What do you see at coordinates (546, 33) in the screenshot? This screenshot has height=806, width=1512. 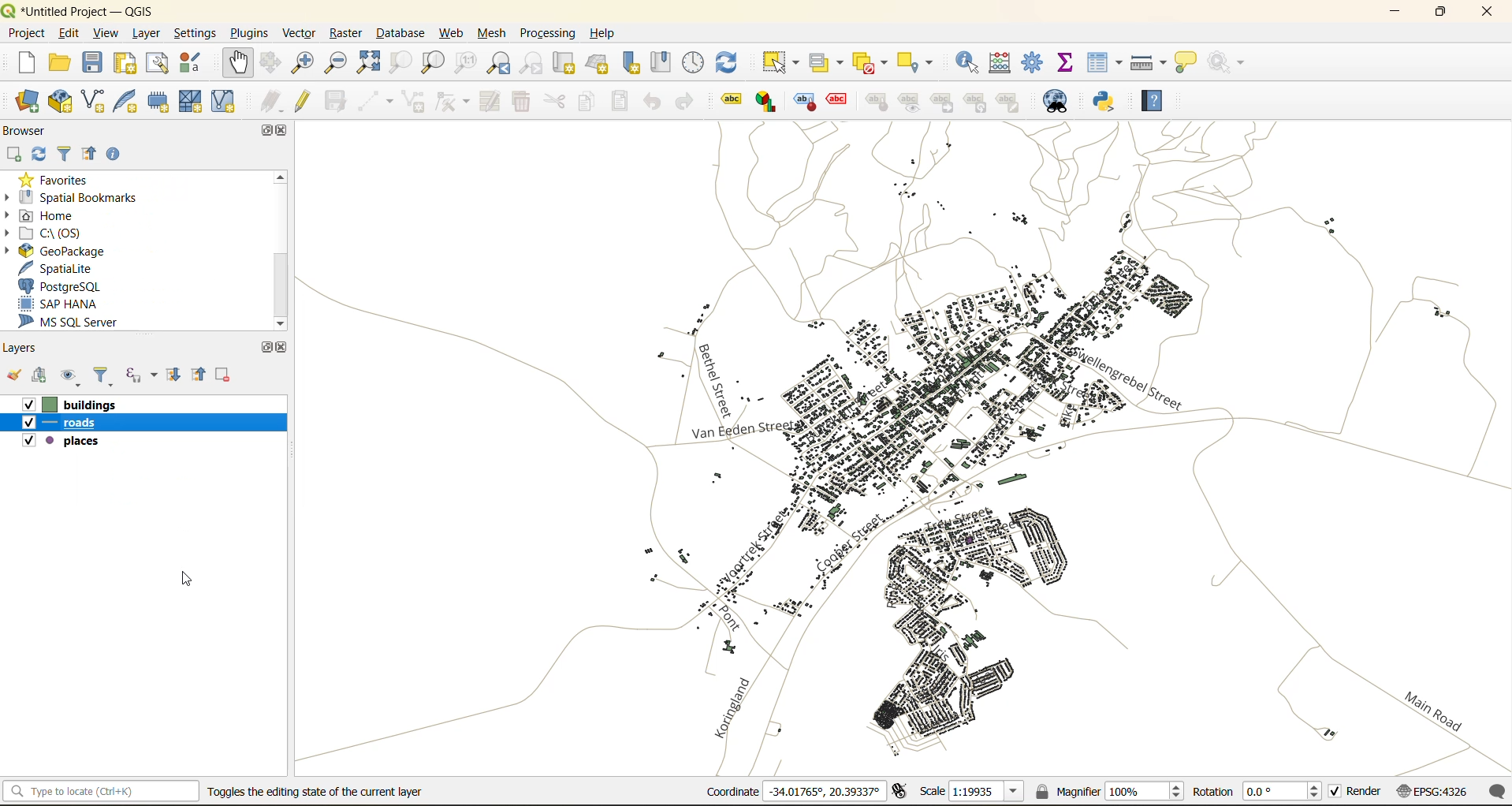 I see `processing` at bounding box center [546, 33].